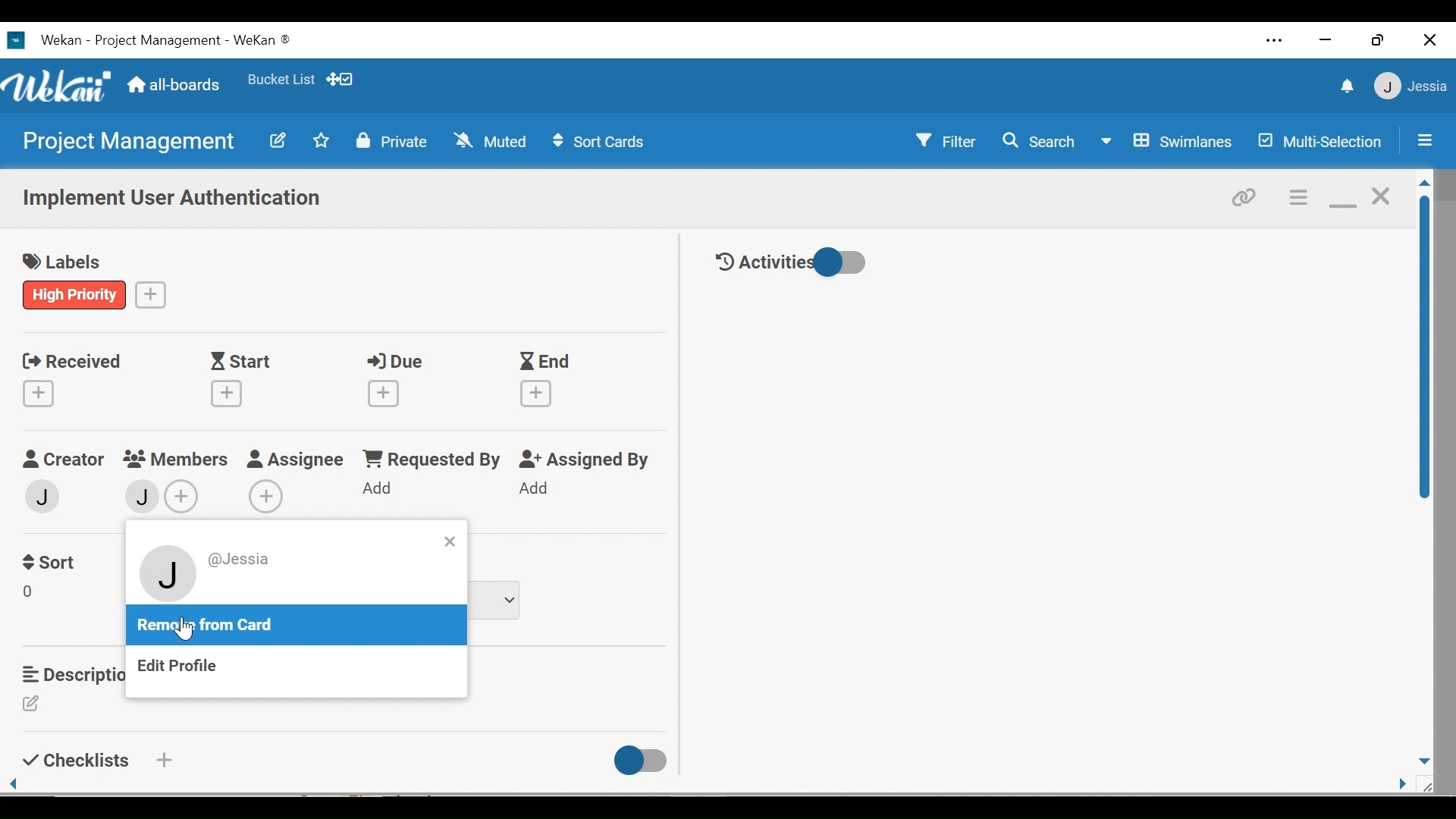 The image size is (1456, 819). What do you see at coordinates (381, 490) in the screenshot?
I see `add` at bounding box center [381, 490].